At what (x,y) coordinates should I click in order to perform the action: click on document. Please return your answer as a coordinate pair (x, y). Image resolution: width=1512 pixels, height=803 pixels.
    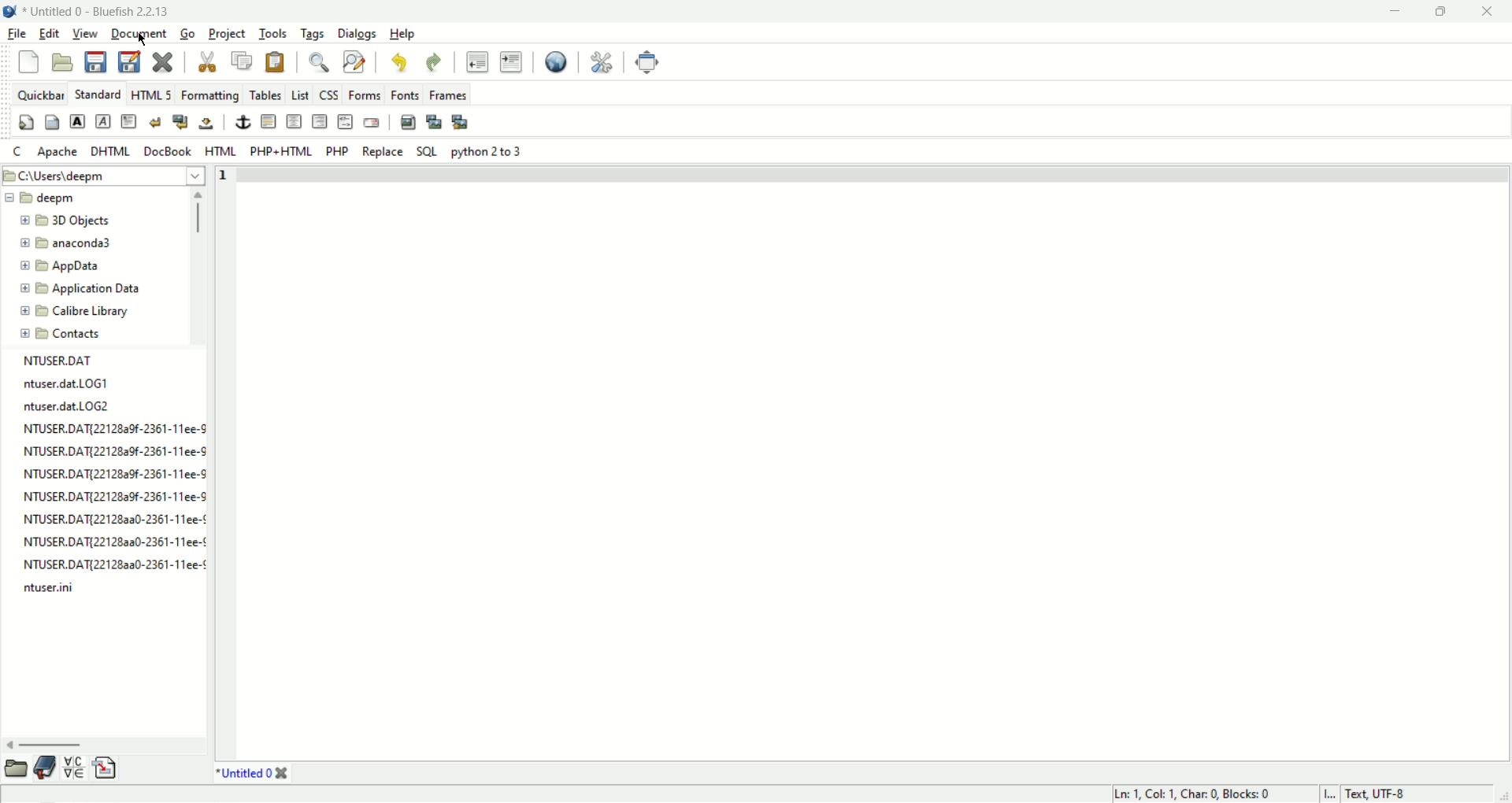
    Looking at the image, I should click on (141, 34).